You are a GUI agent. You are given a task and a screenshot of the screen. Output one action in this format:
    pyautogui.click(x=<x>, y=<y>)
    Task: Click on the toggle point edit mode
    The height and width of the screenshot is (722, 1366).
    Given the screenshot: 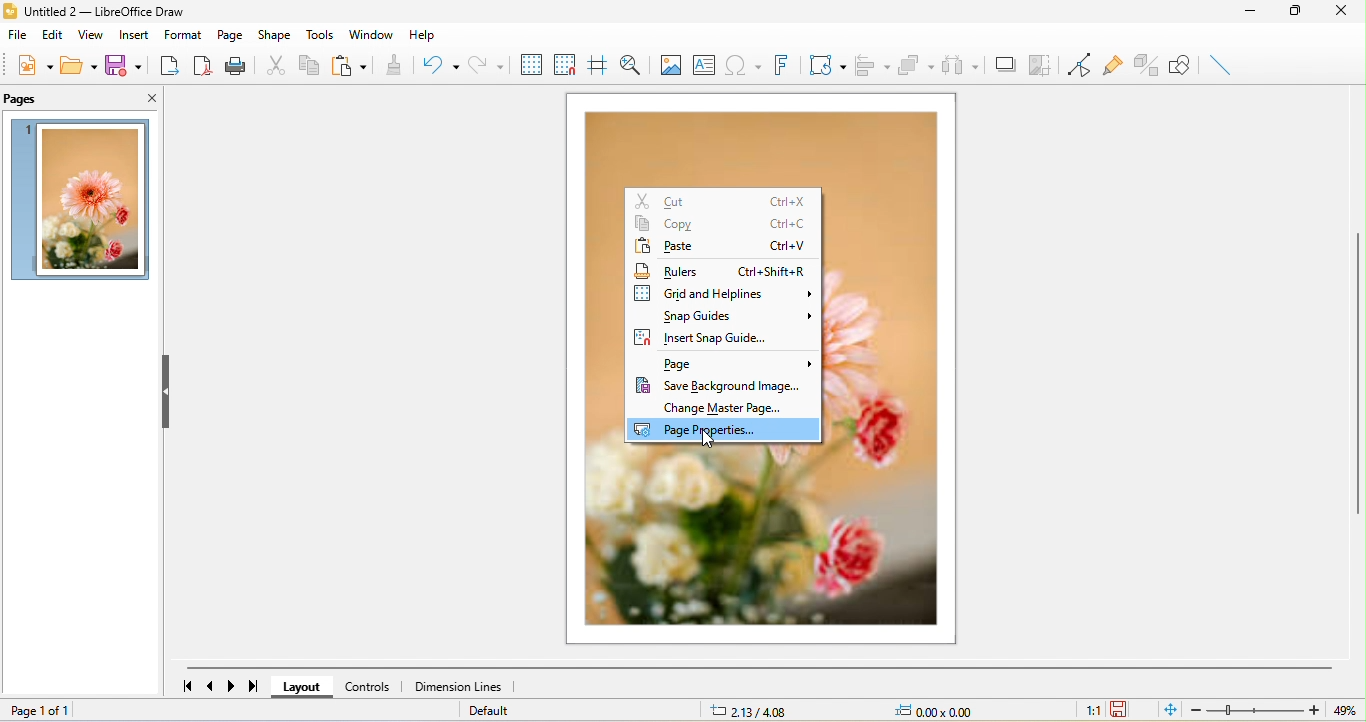 What is the action you would take?
    pyautogui.click(x=1076, y=65)
    